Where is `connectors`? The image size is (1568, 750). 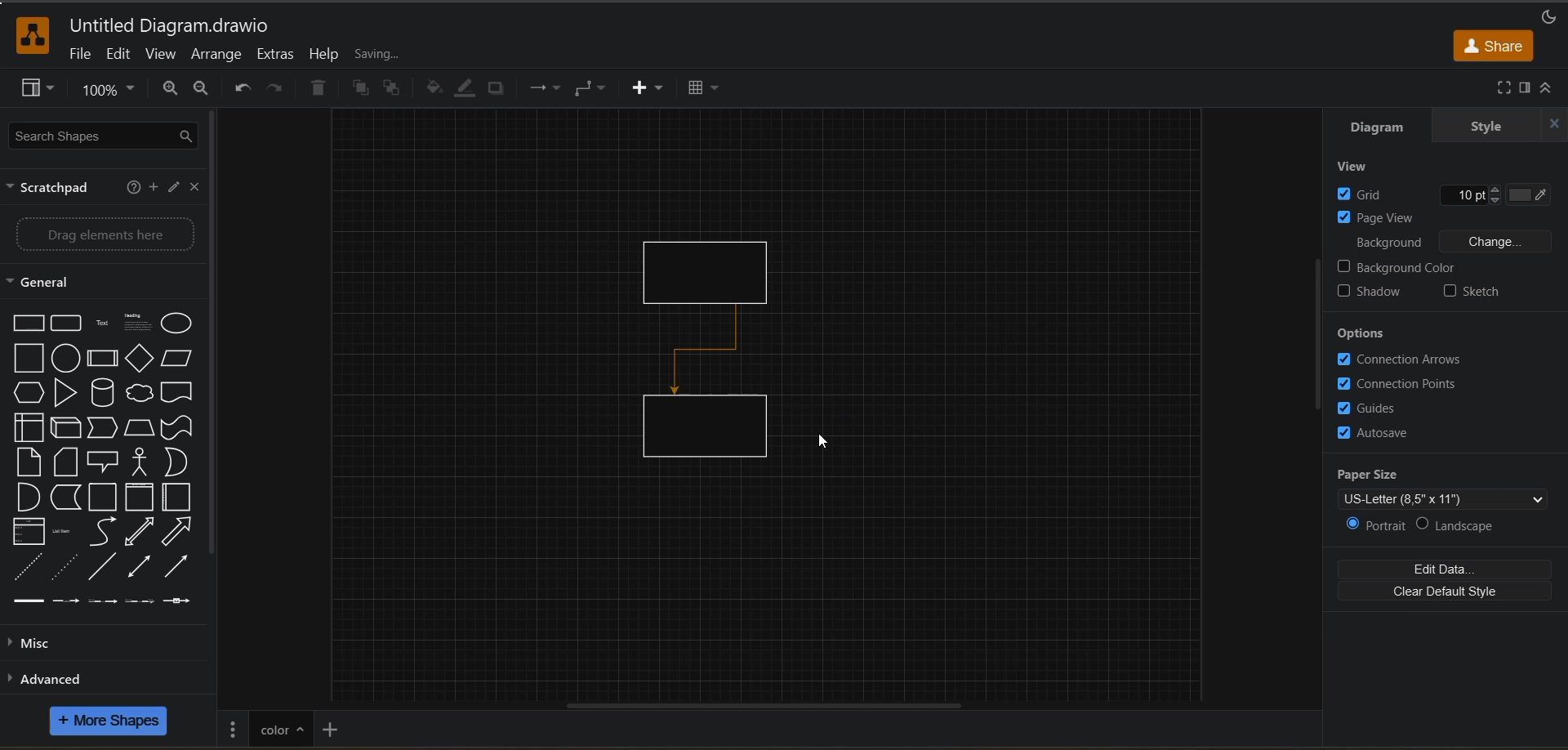 connectors is located at coordinates (592, 88).